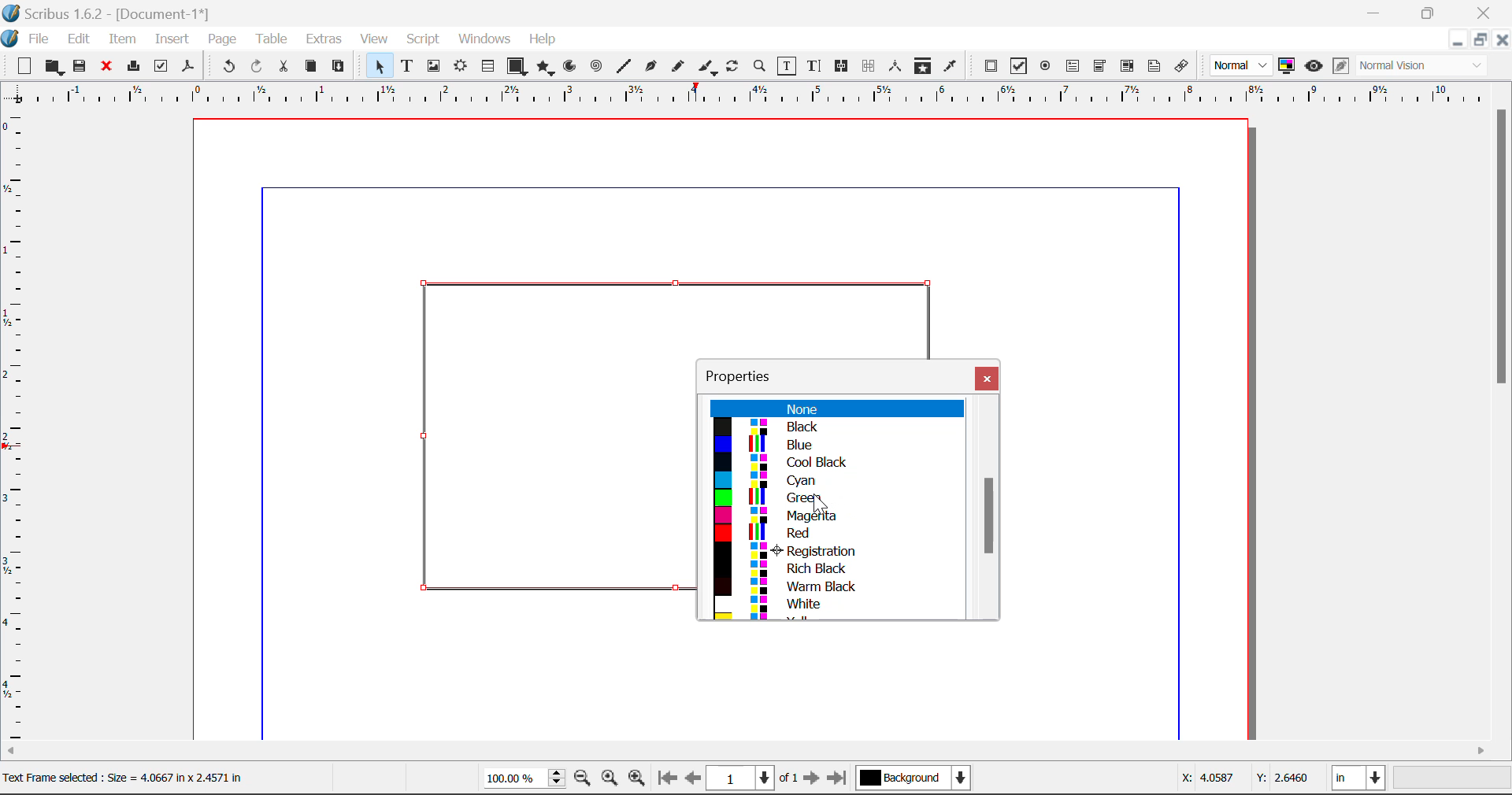 Image resolution: width=1512 pixels, height=795 pixels. Describe the element at coordinates (842, 66) in the screenshot. I see `Link Frames` at that location.